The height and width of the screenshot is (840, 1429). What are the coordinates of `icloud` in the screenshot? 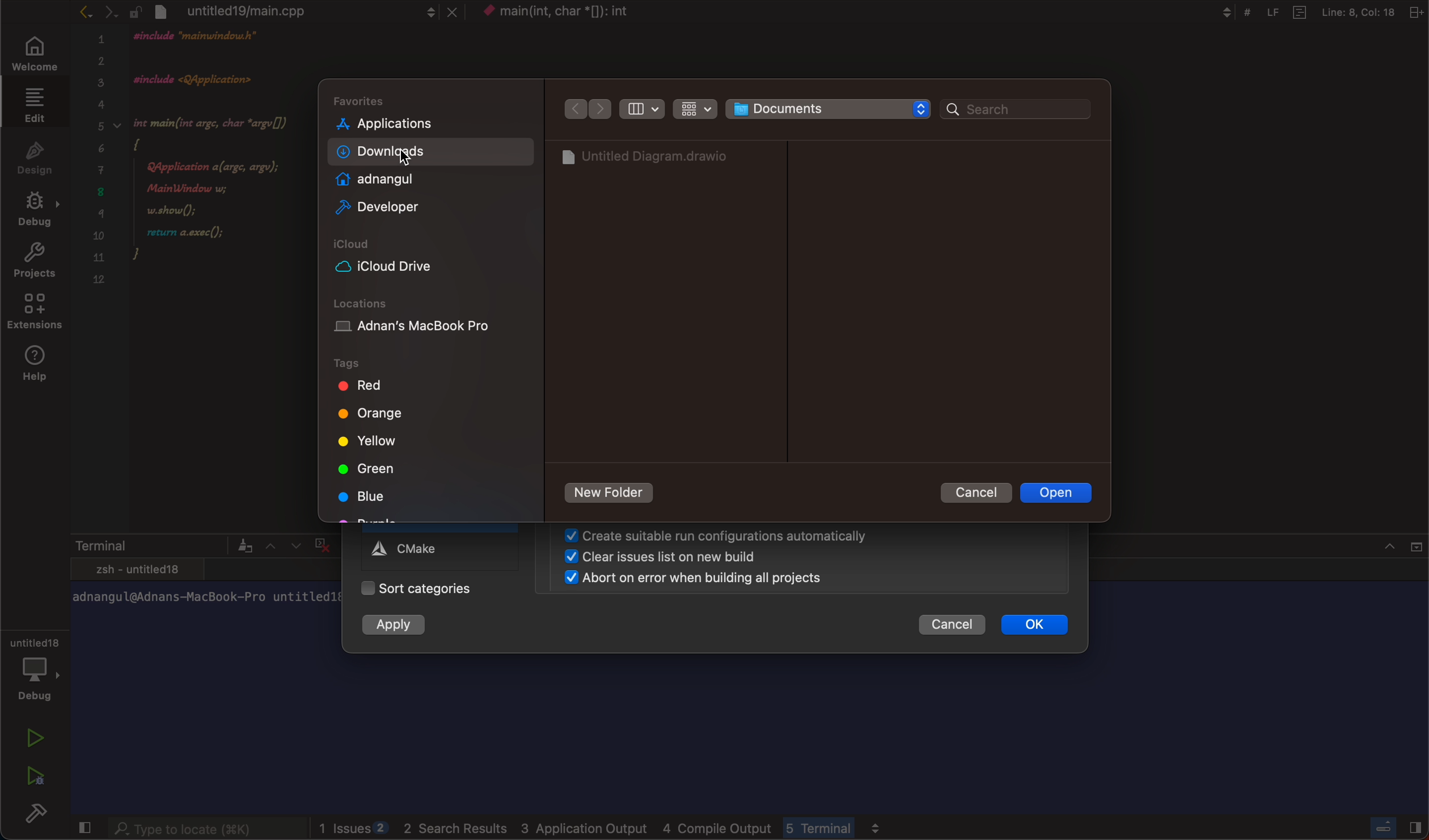 It's located at (433, 262).